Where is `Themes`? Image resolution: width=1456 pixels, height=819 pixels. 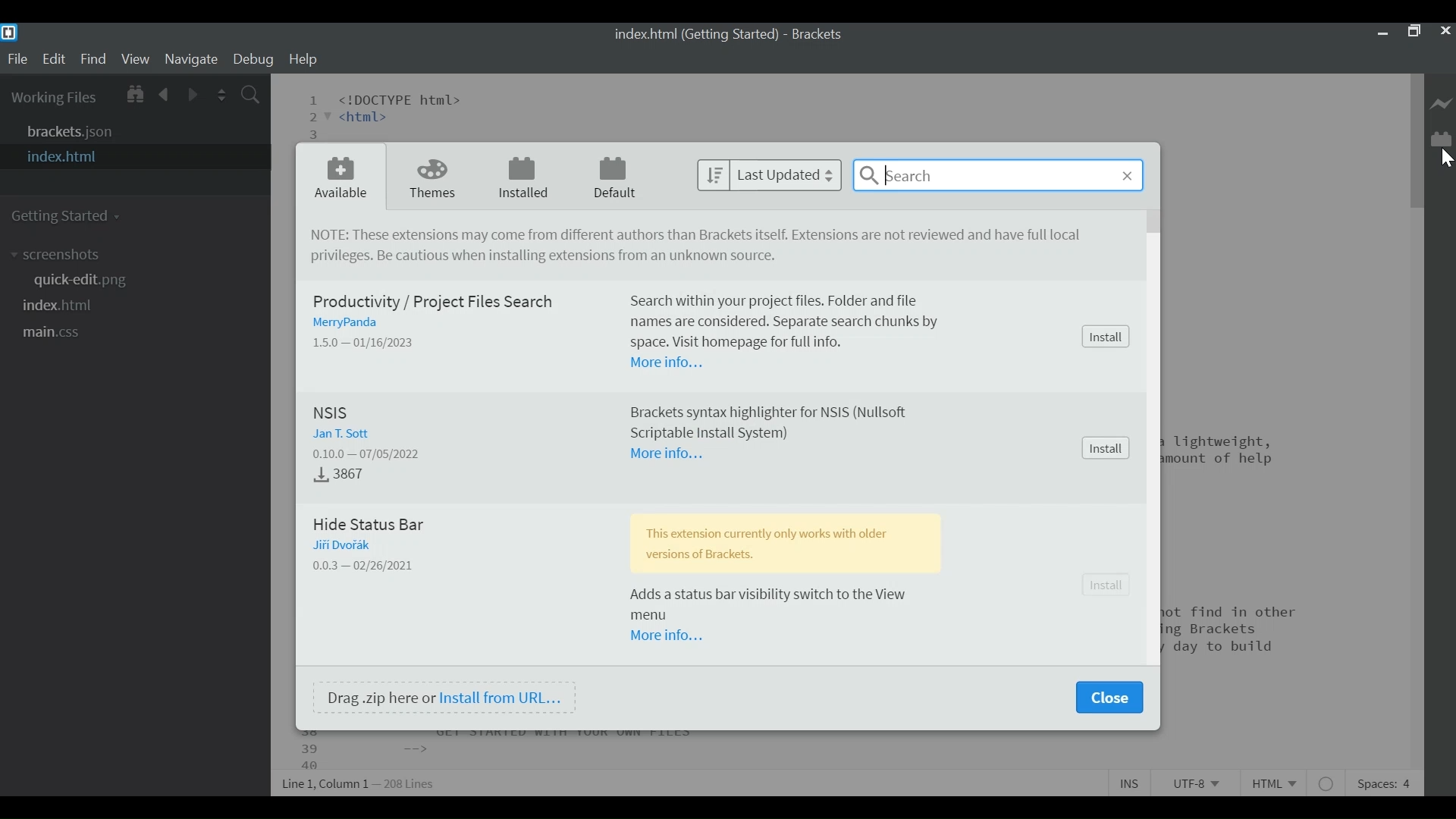
Themes is located at coordinates (433, 177).